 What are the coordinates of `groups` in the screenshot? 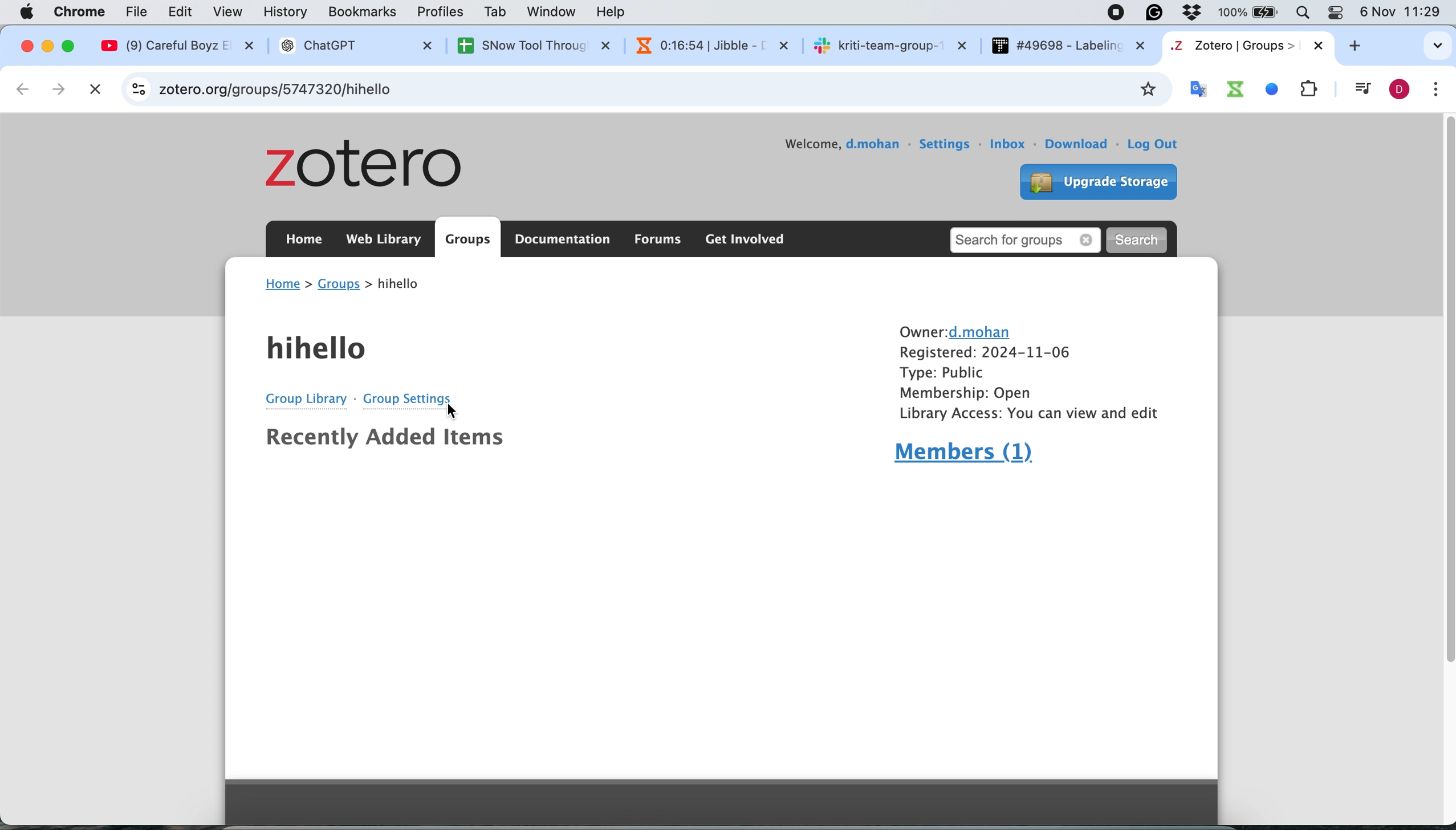 It's located at (340, 285).